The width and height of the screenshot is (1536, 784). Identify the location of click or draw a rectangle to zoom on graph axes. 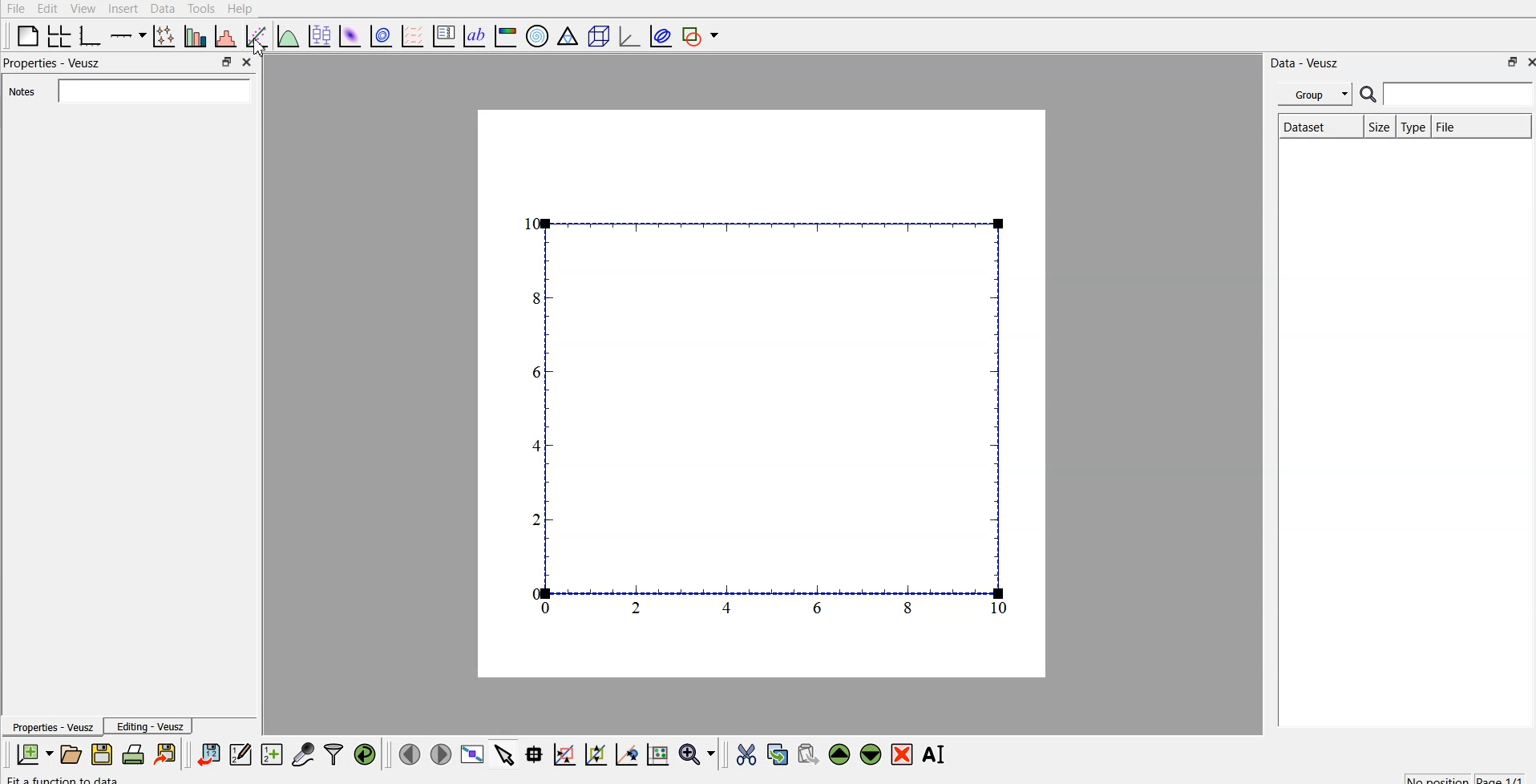
(567, 756).